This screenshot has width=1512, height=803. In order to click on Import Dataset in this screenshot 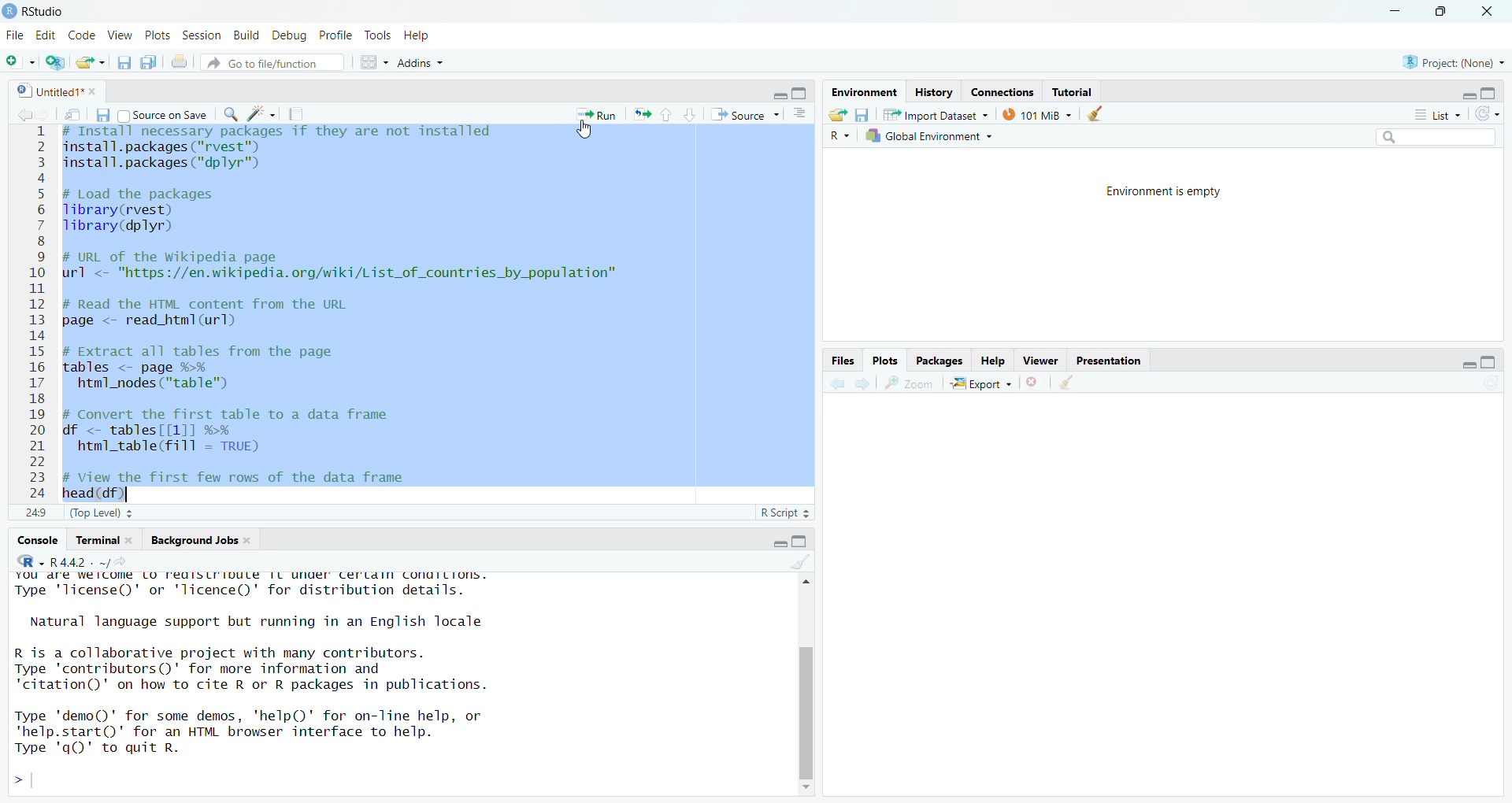, I will do `click(935, 114)`.